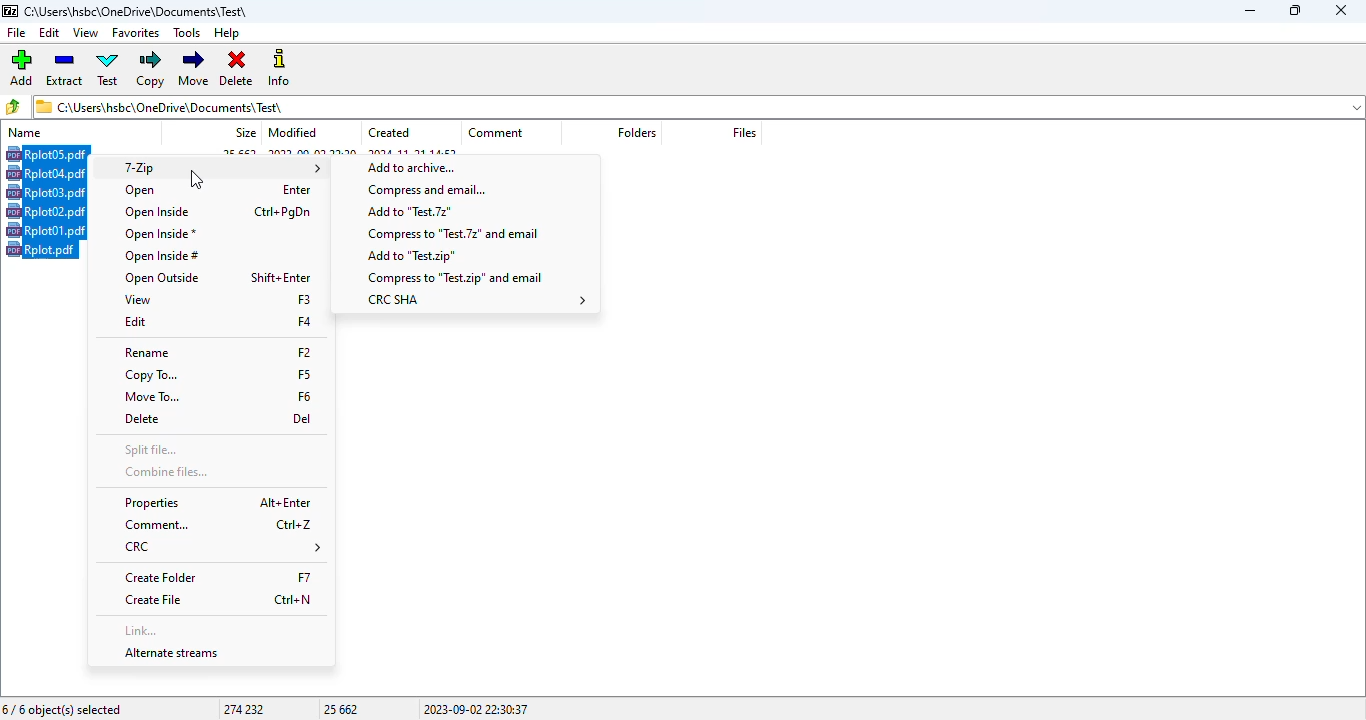 This screenshot has width=1366, height=720. What do you see at coordinates (496, 132) in the screenshot?
I see `comment` at bounding box center [496, 132].